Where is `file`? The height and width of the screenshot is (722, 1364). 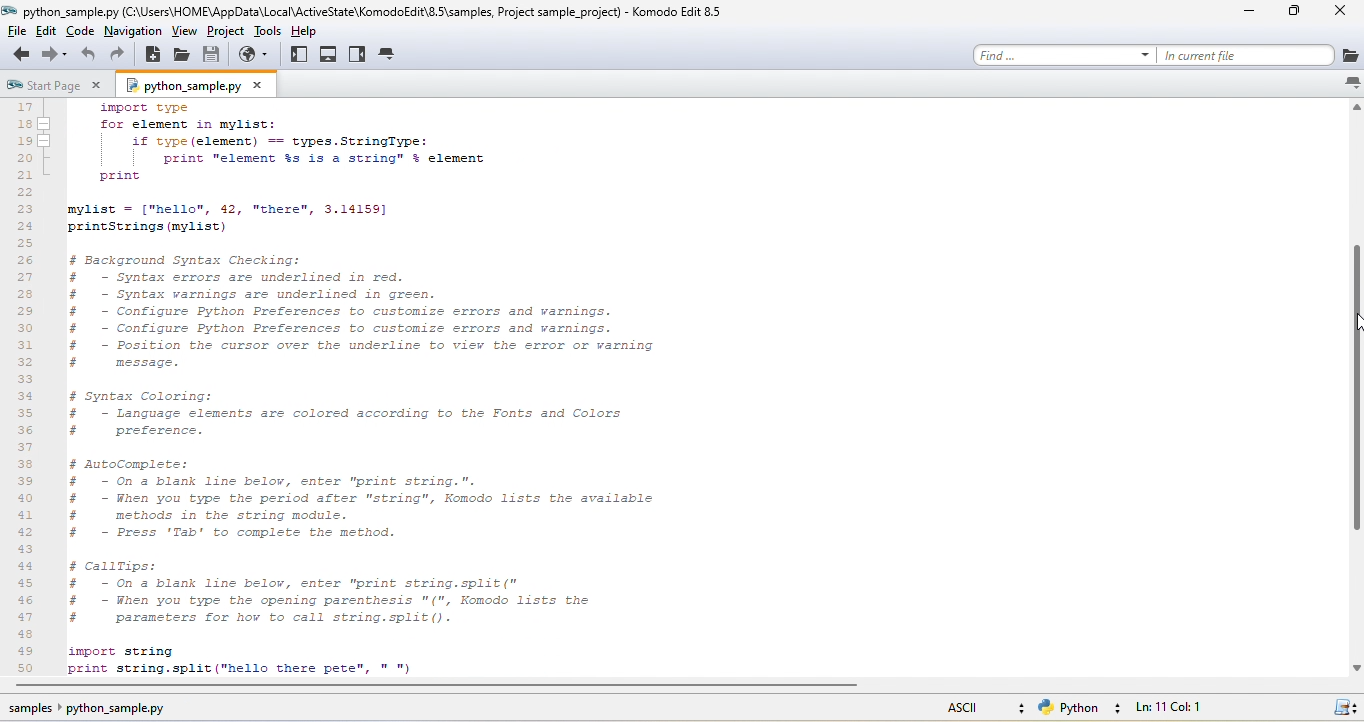 file is located at coordinates (15, 31).